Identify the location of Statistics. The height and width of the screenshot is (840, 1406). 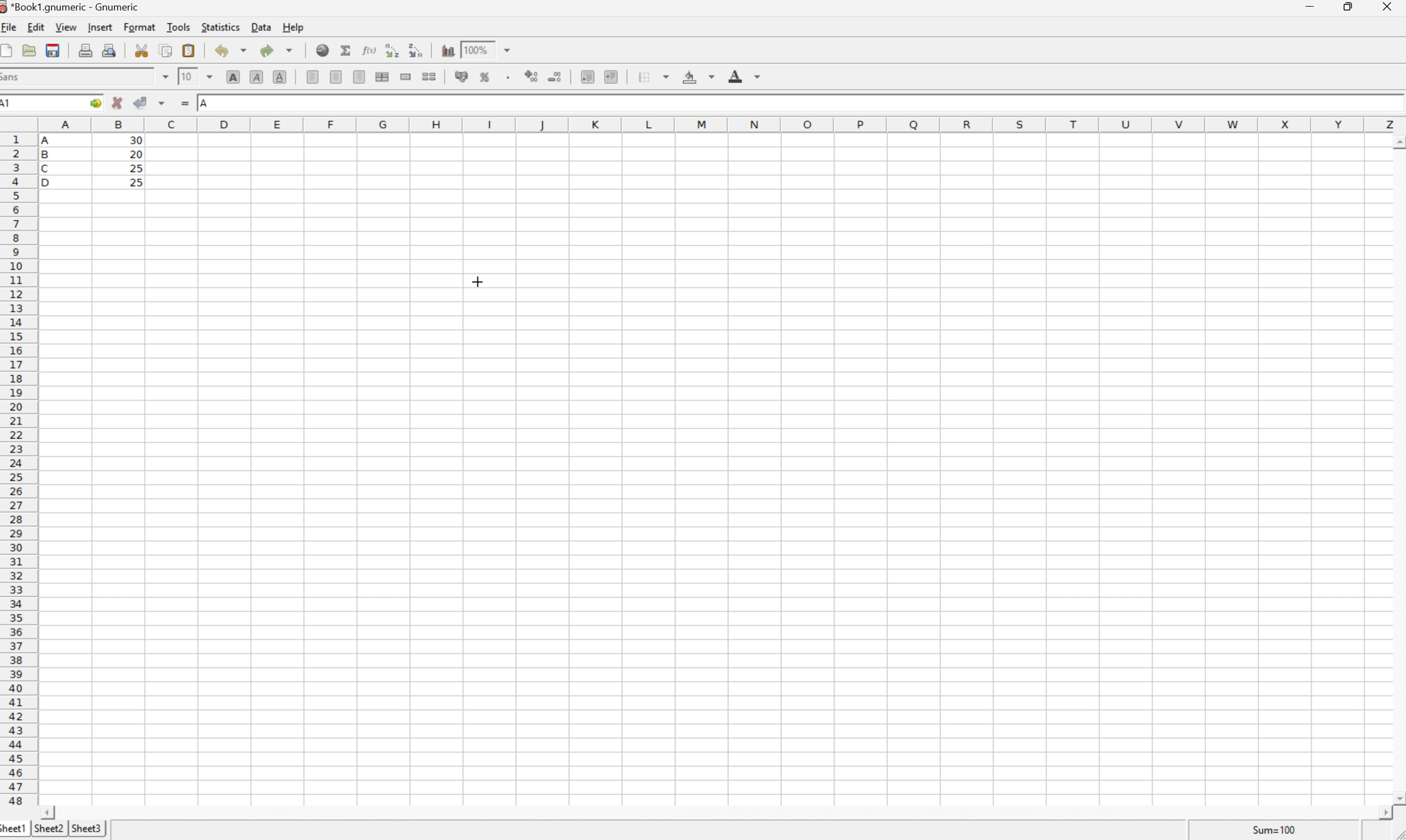
(221, 27).